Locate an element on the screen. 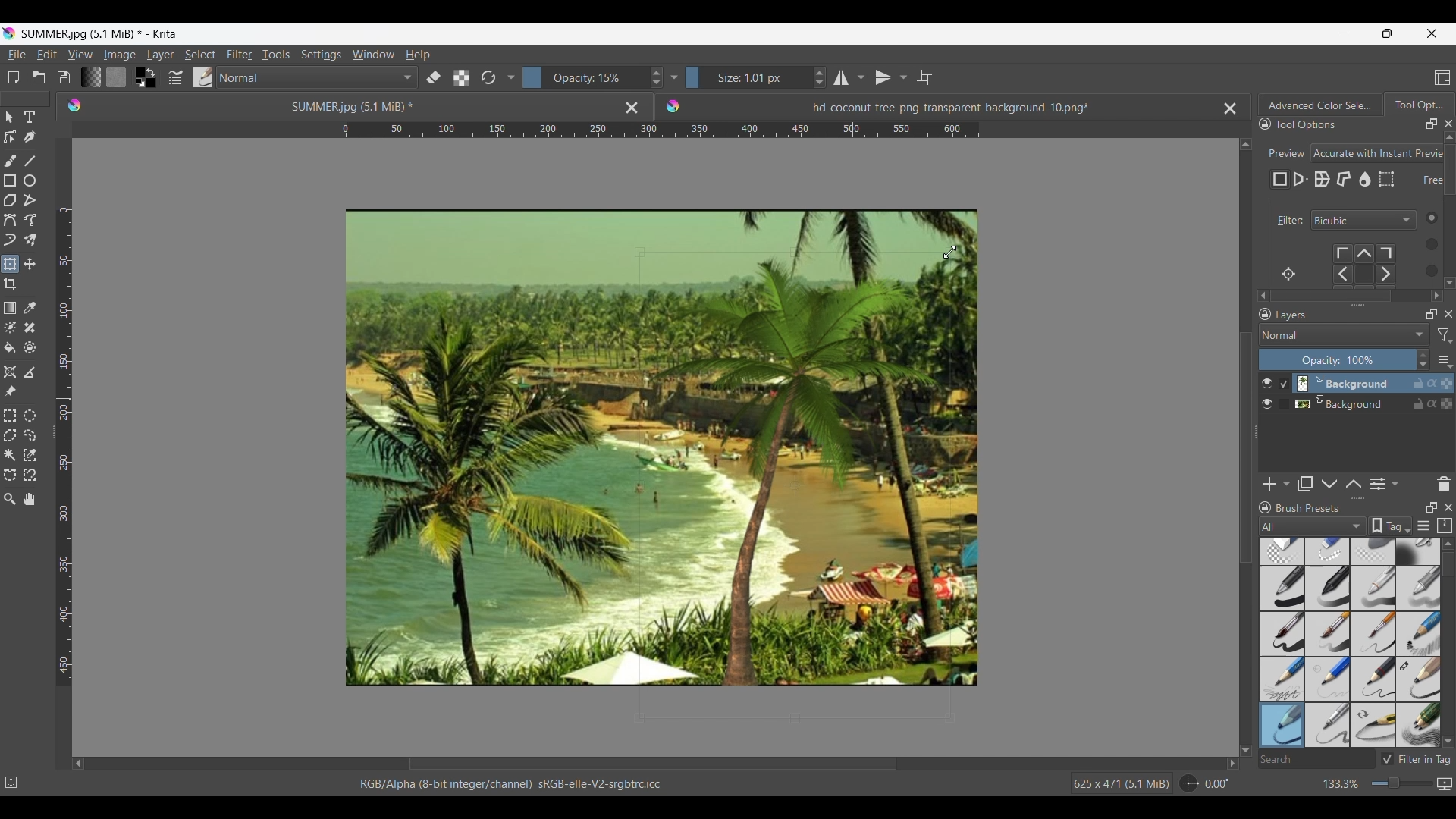 Image resolution: width=1456 pixels, height=819 pixels. Expand/Collapse is located at coordinates (1257, 432).